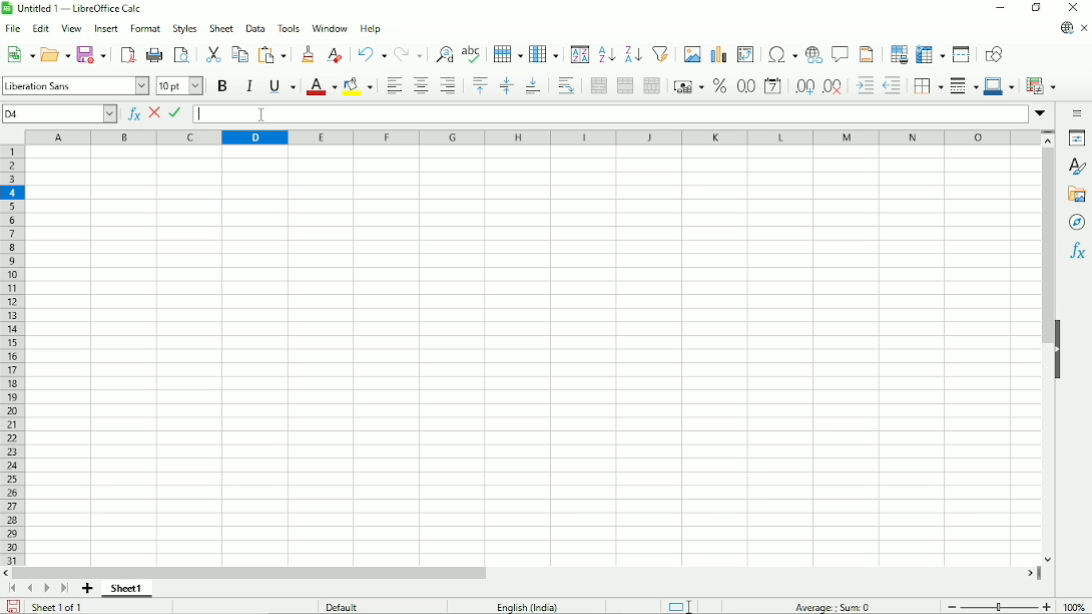  What do you see at coordinates (774, 86) in the screenshot?
I see `Format as date` at bounding box center [774, 86].